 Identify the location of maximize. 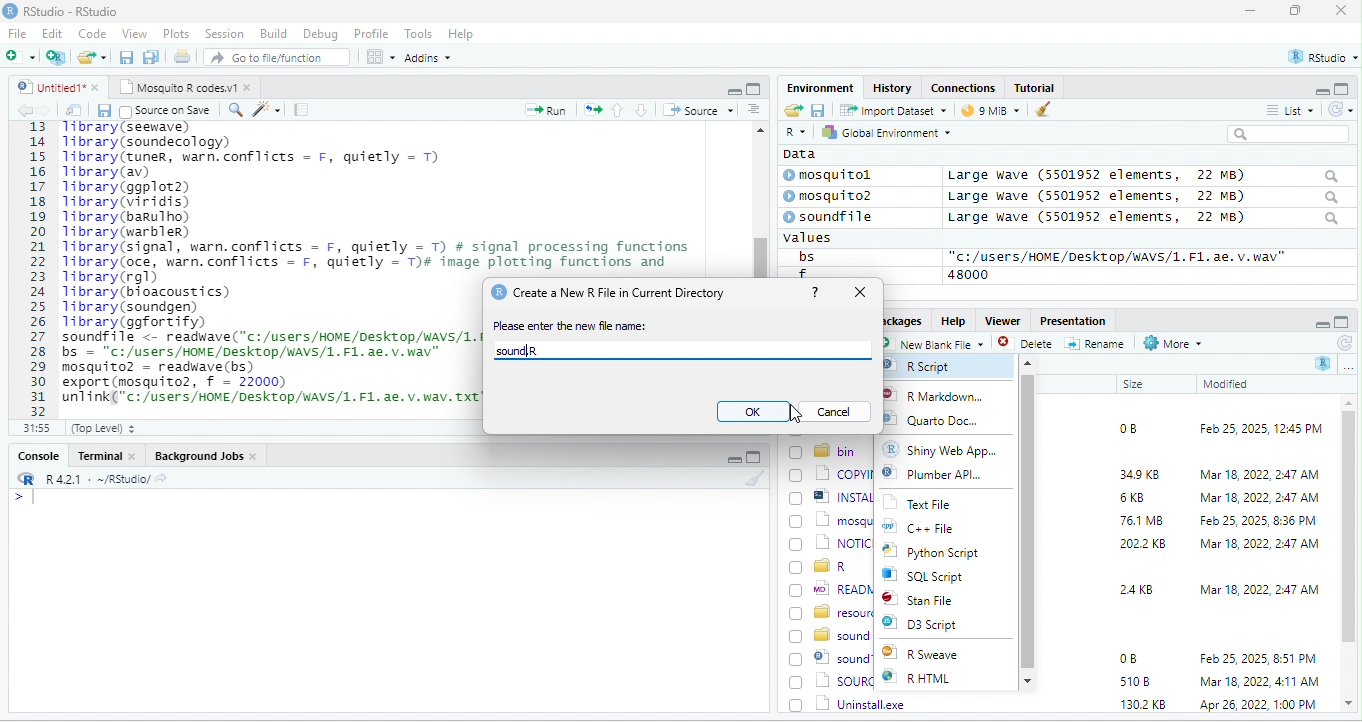
(1344, 88).